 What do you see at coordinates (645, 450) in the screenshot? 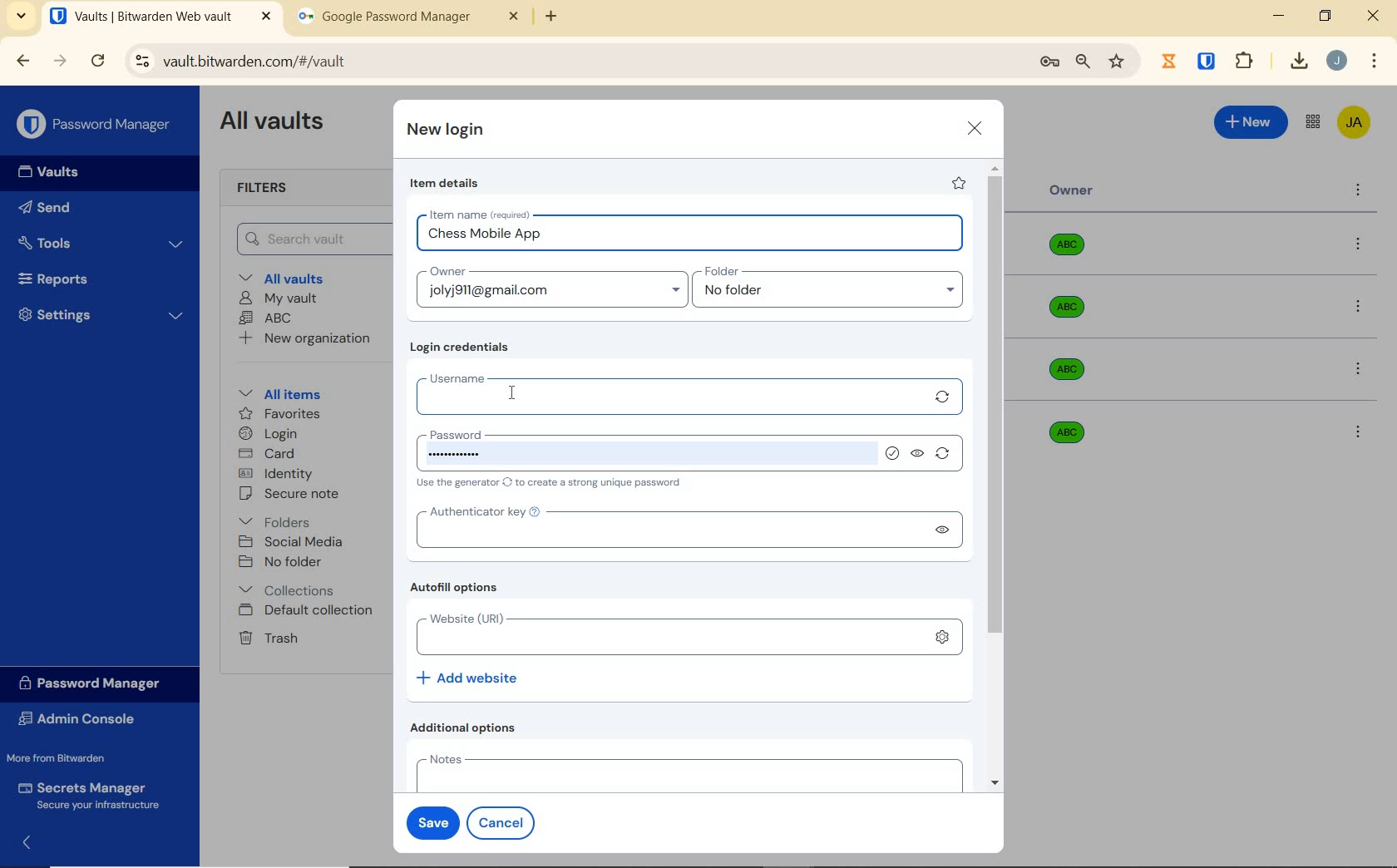
I see `password` at bounding box center [645, 450].